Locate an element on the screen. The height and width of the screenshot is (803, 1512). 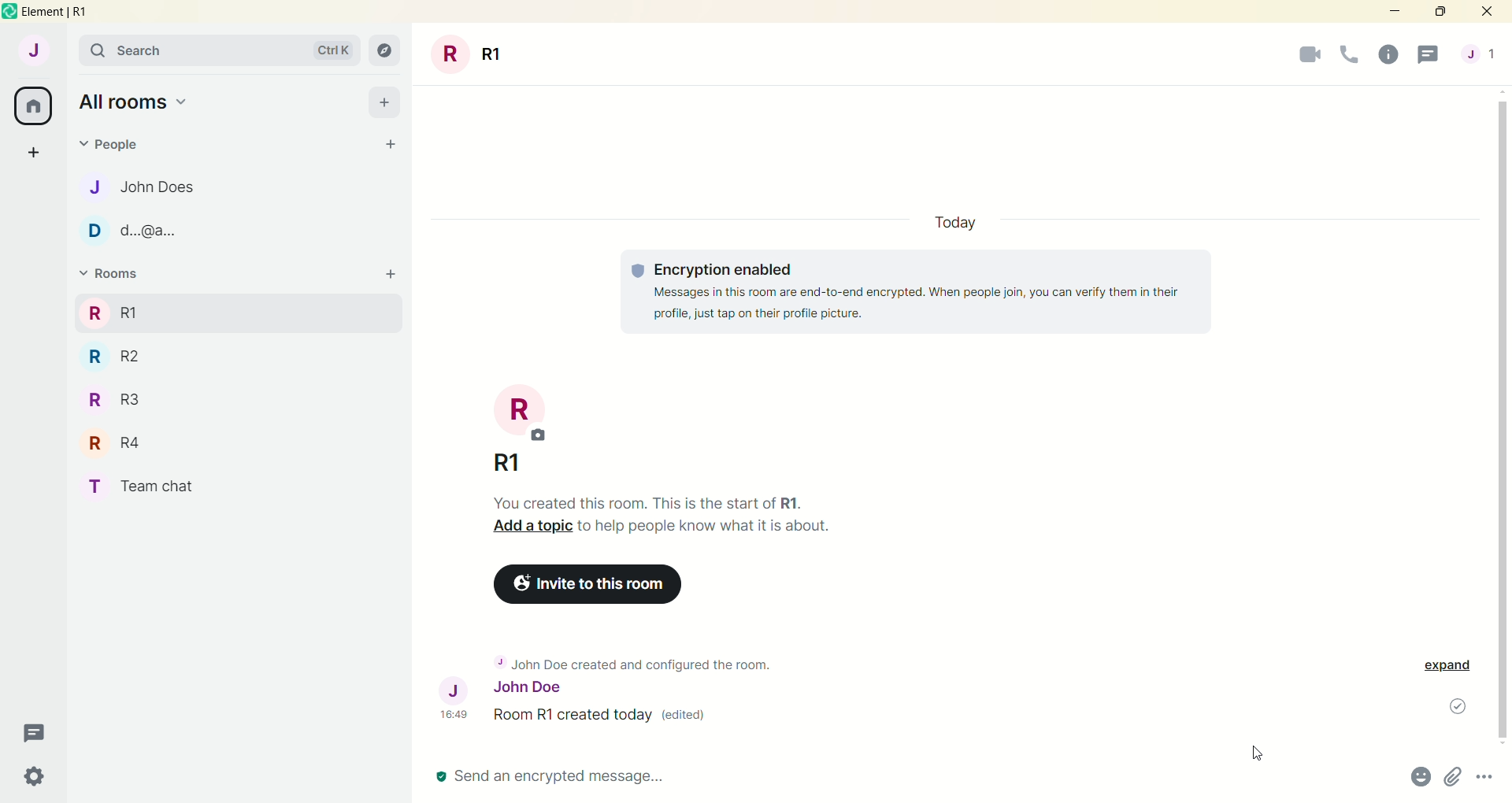
John Doe created and configured the room is located at coordinates (642, 658).